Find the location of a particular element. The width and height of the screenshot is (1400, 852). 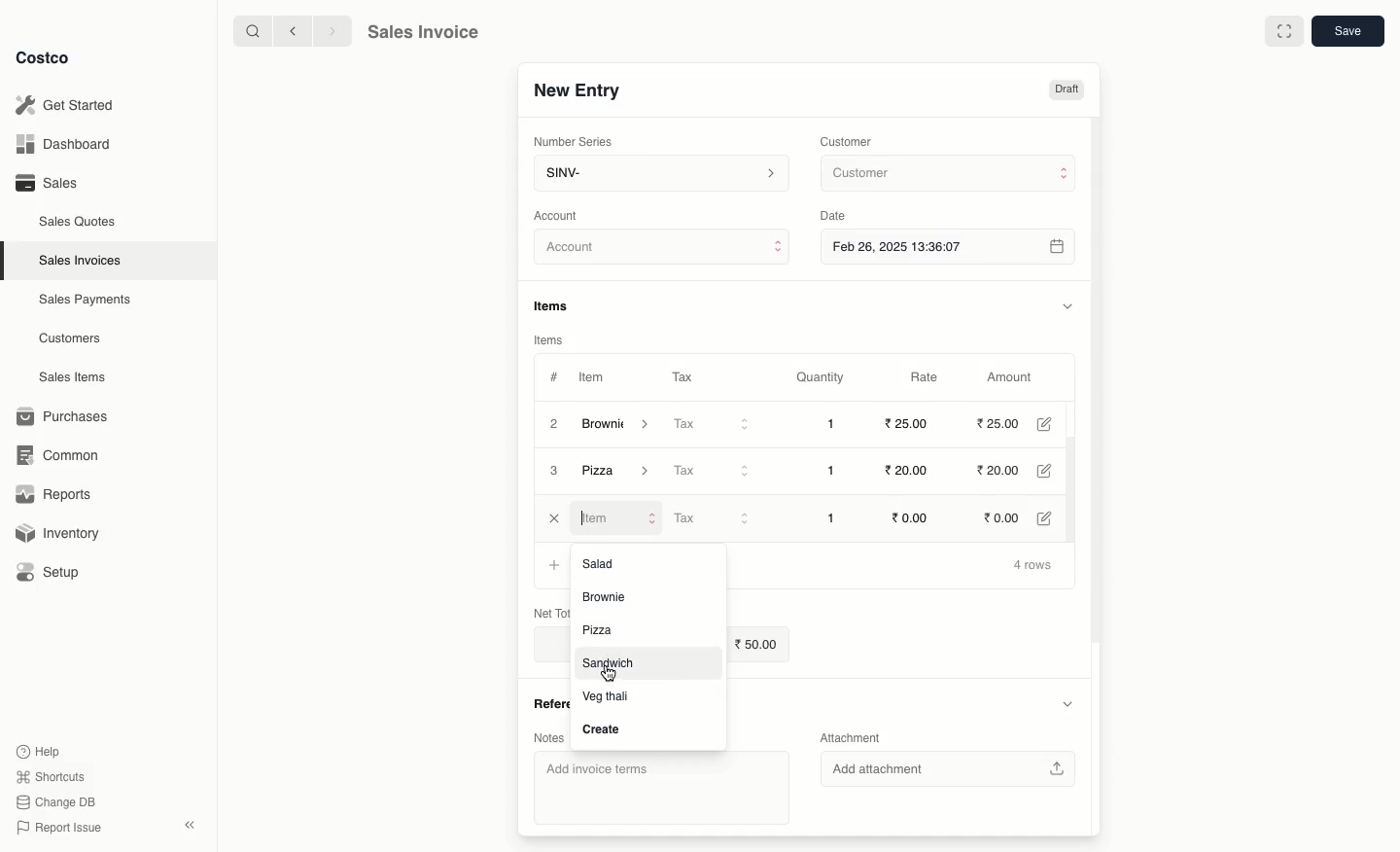

Notes is located at coordinates (548, 736).